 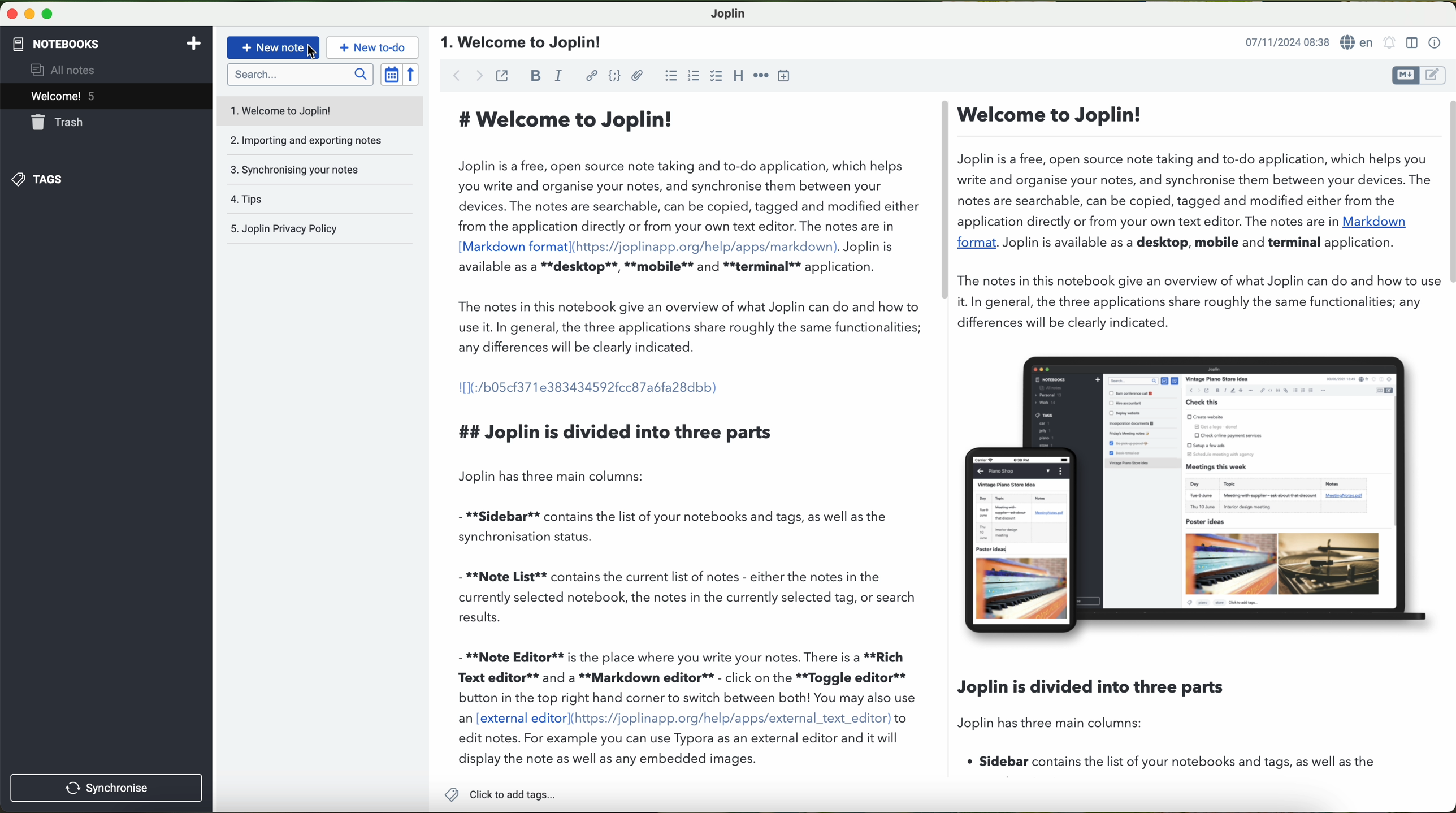 I want to click on add tags, so click(x=497, y=795).